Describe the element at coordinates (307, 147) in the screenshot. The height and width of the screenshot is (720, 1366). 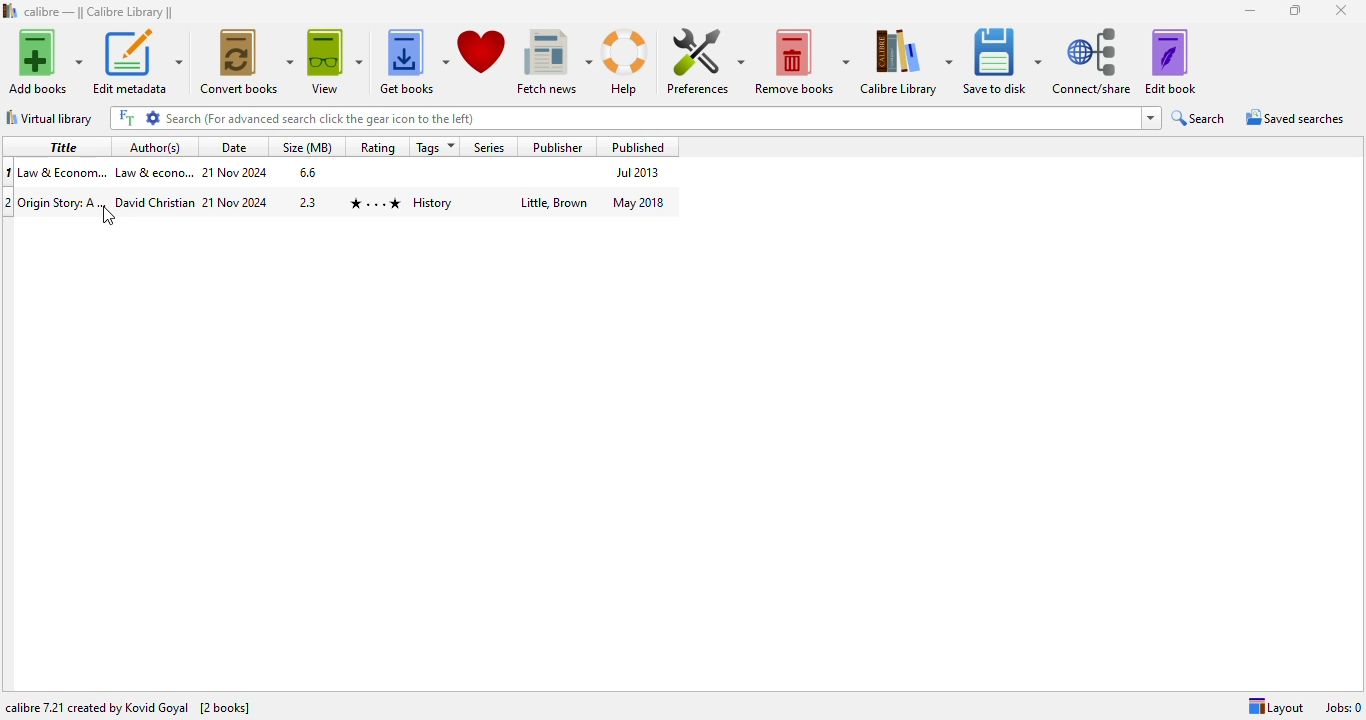
I see `size (MB)` at that location.